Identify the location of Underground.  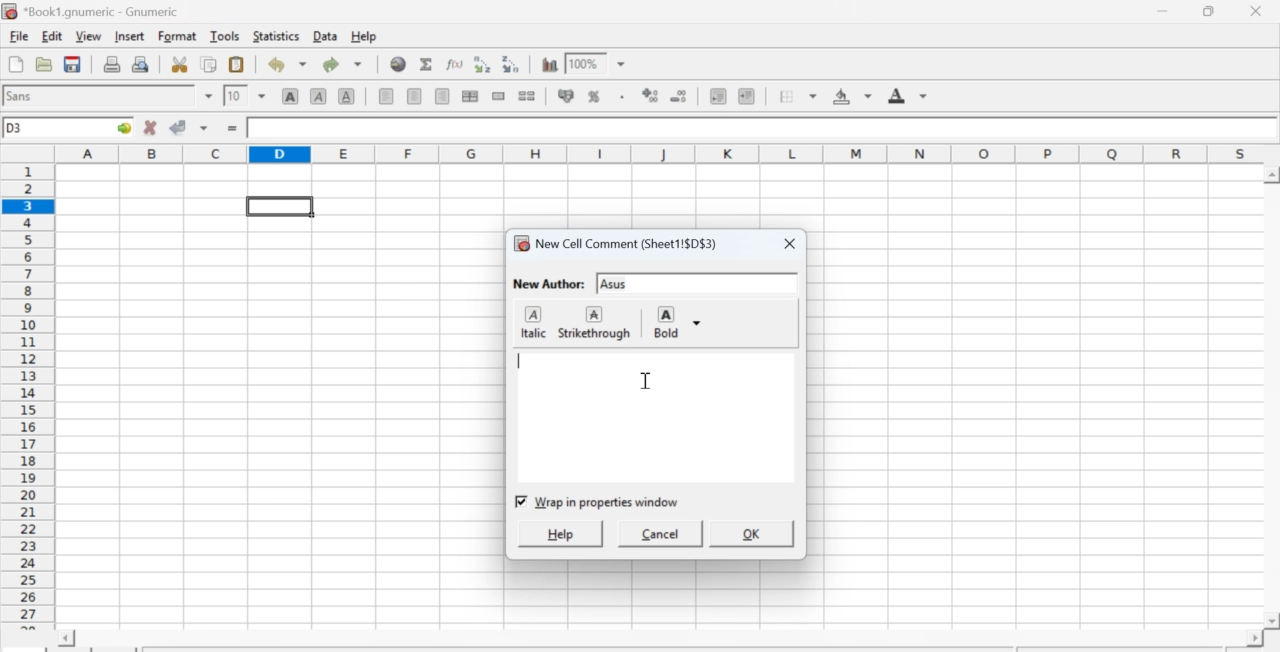
(346, 96).